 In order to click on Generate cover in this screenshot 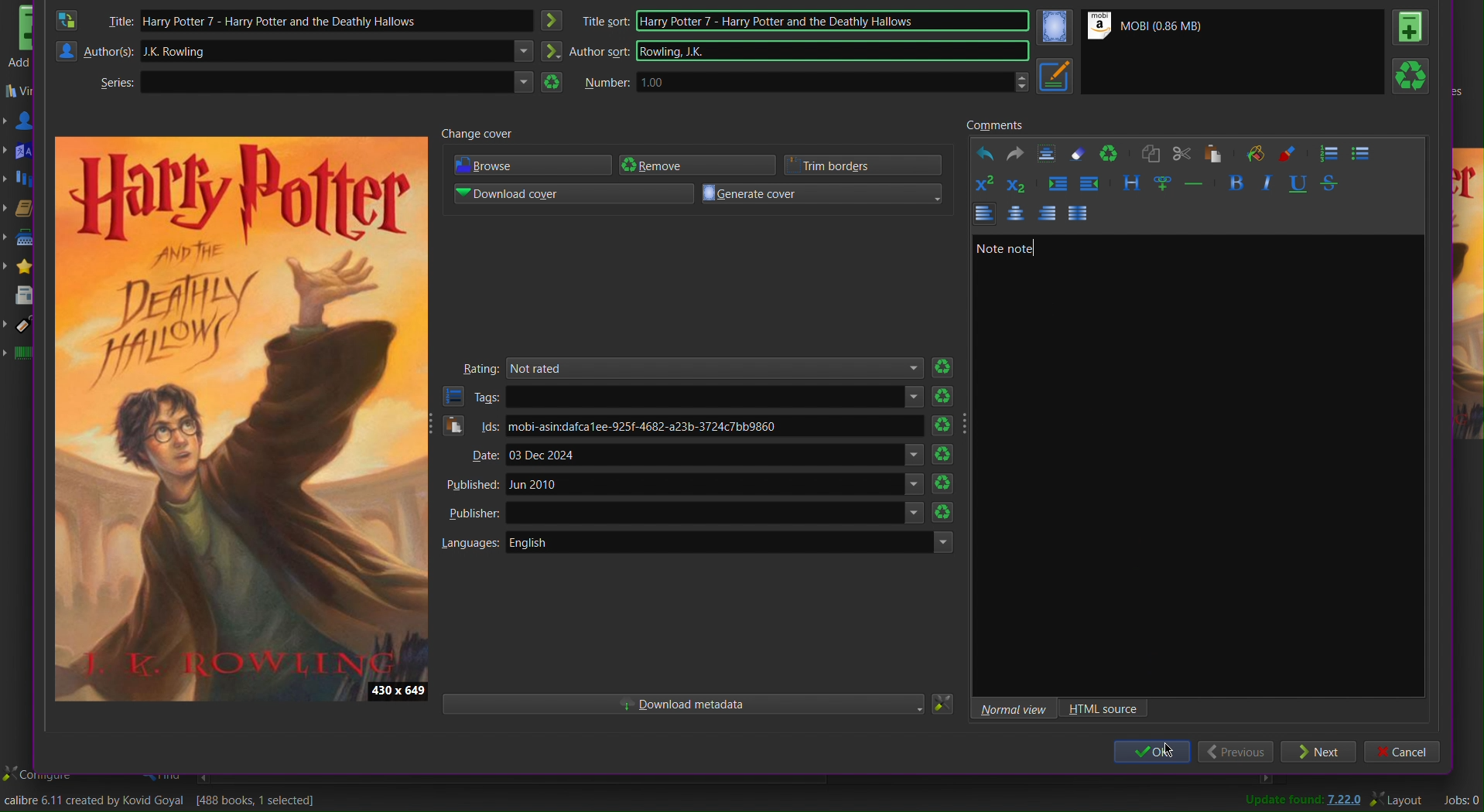, I will do `click(823, 193)`.